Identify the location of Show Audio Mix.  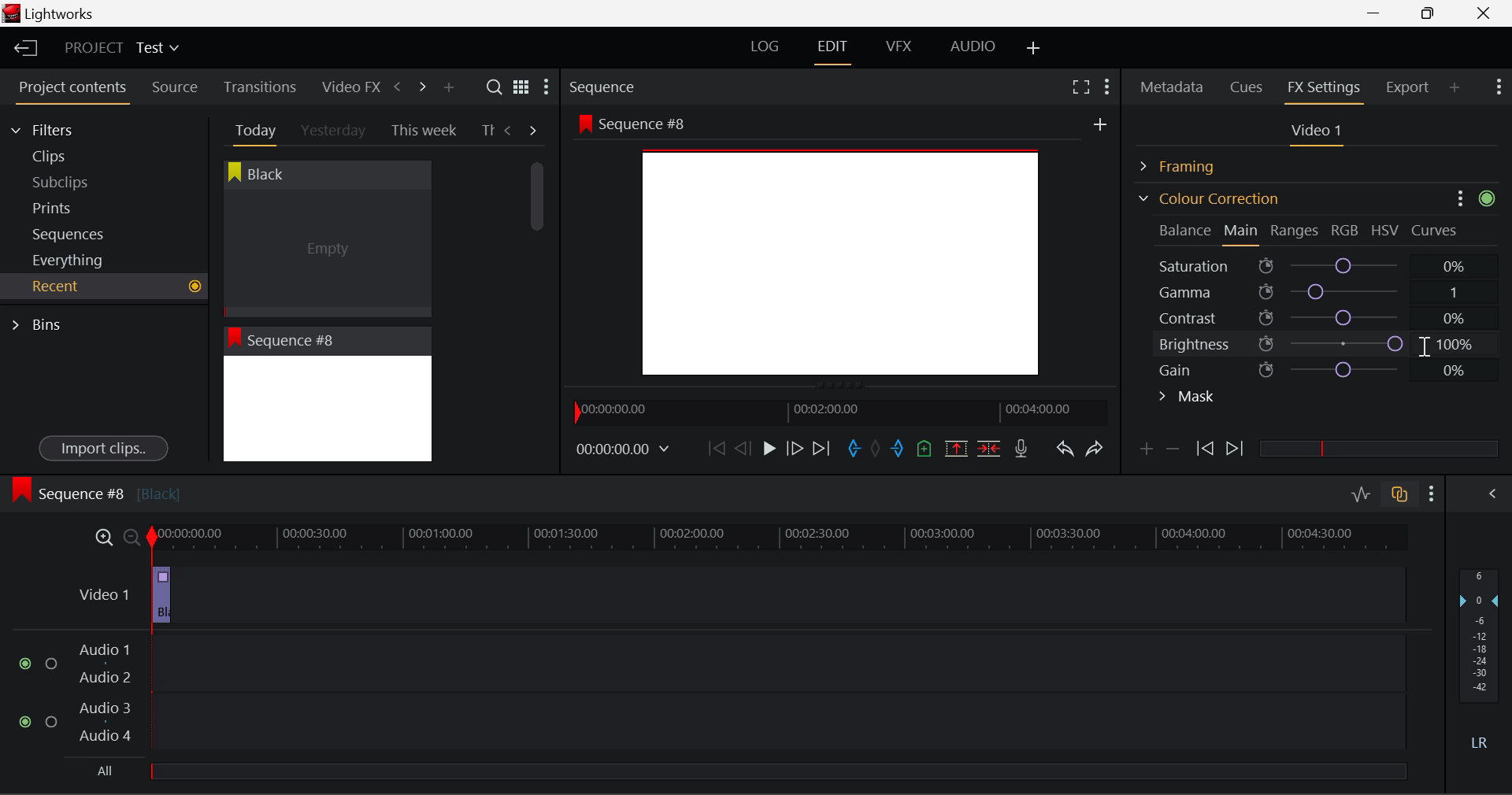
(1494, 492).